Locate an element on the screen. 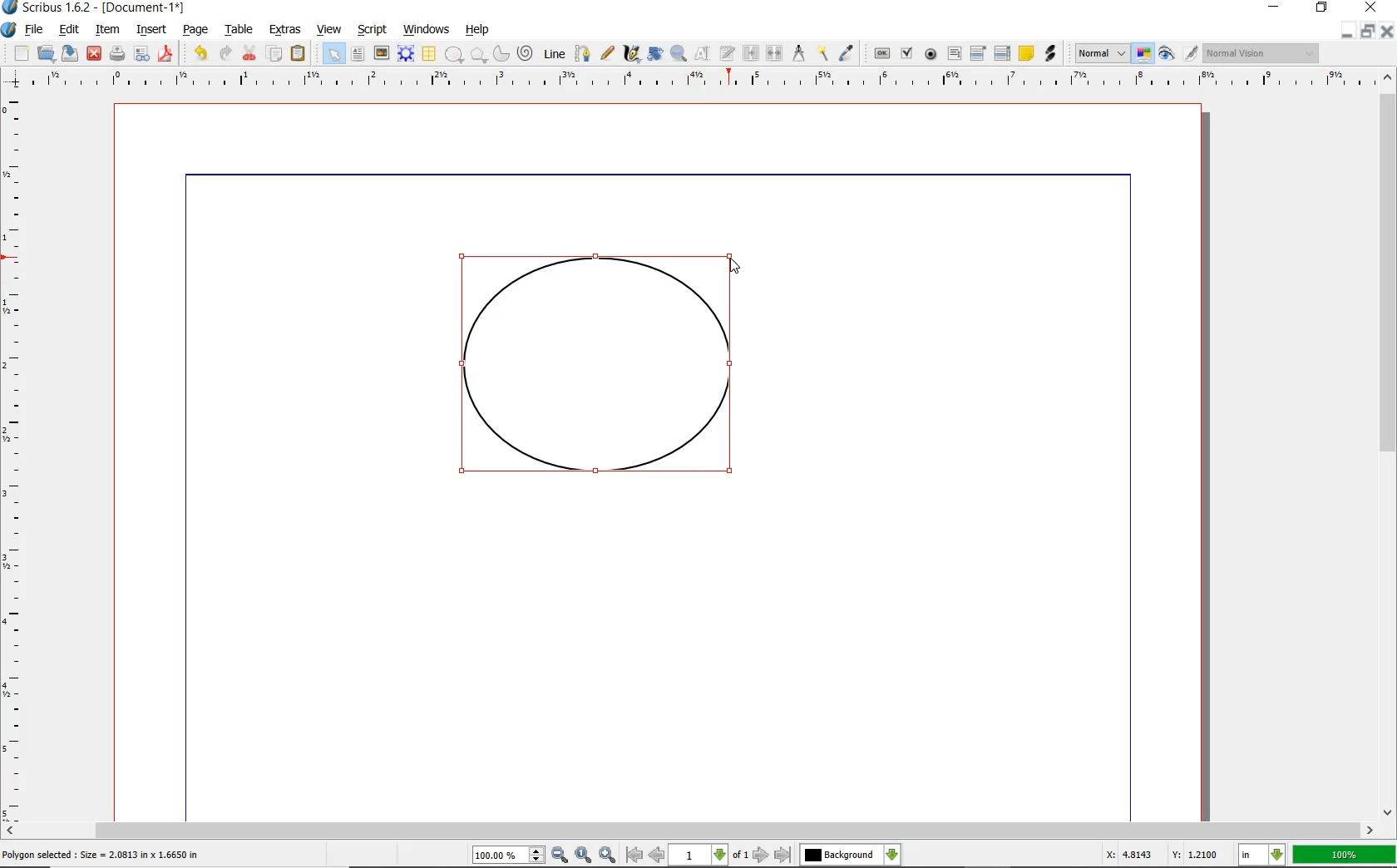 Image resolution: width=1397 pixels, height=868 pixels. INSERT is located at coordinates (151, 30).